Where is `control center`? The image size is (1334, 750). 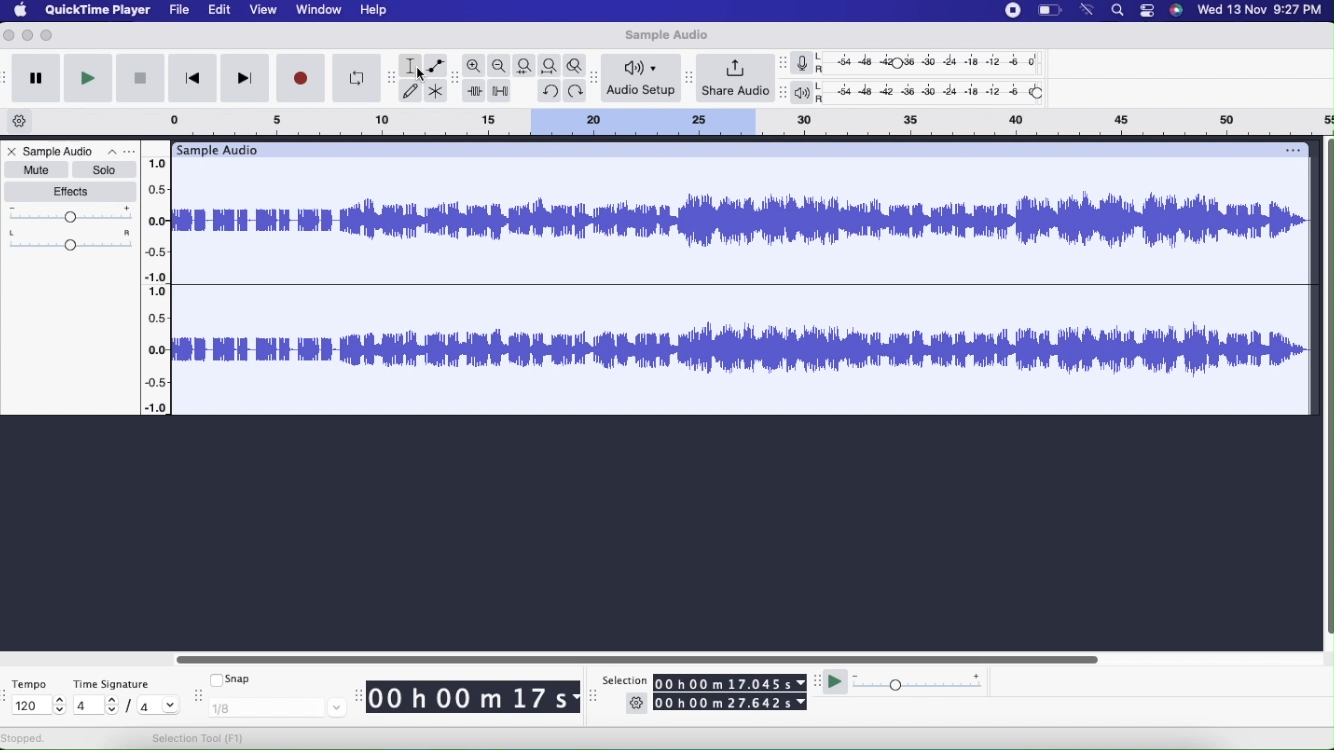
control center is located at coordinates (1147, 10).